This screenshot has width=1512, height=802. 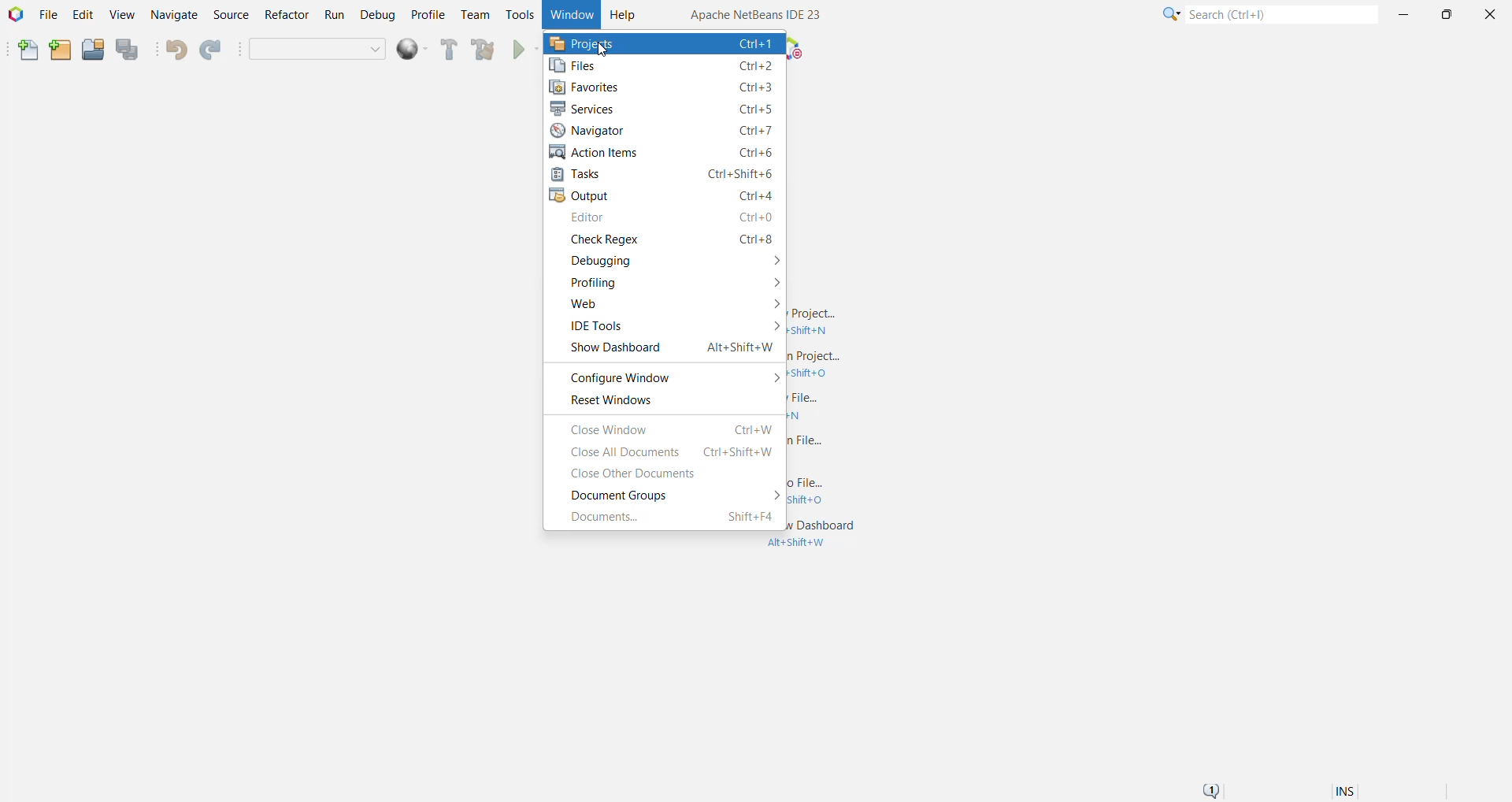 I want to click on Close Window, so click(x=673, y=429).